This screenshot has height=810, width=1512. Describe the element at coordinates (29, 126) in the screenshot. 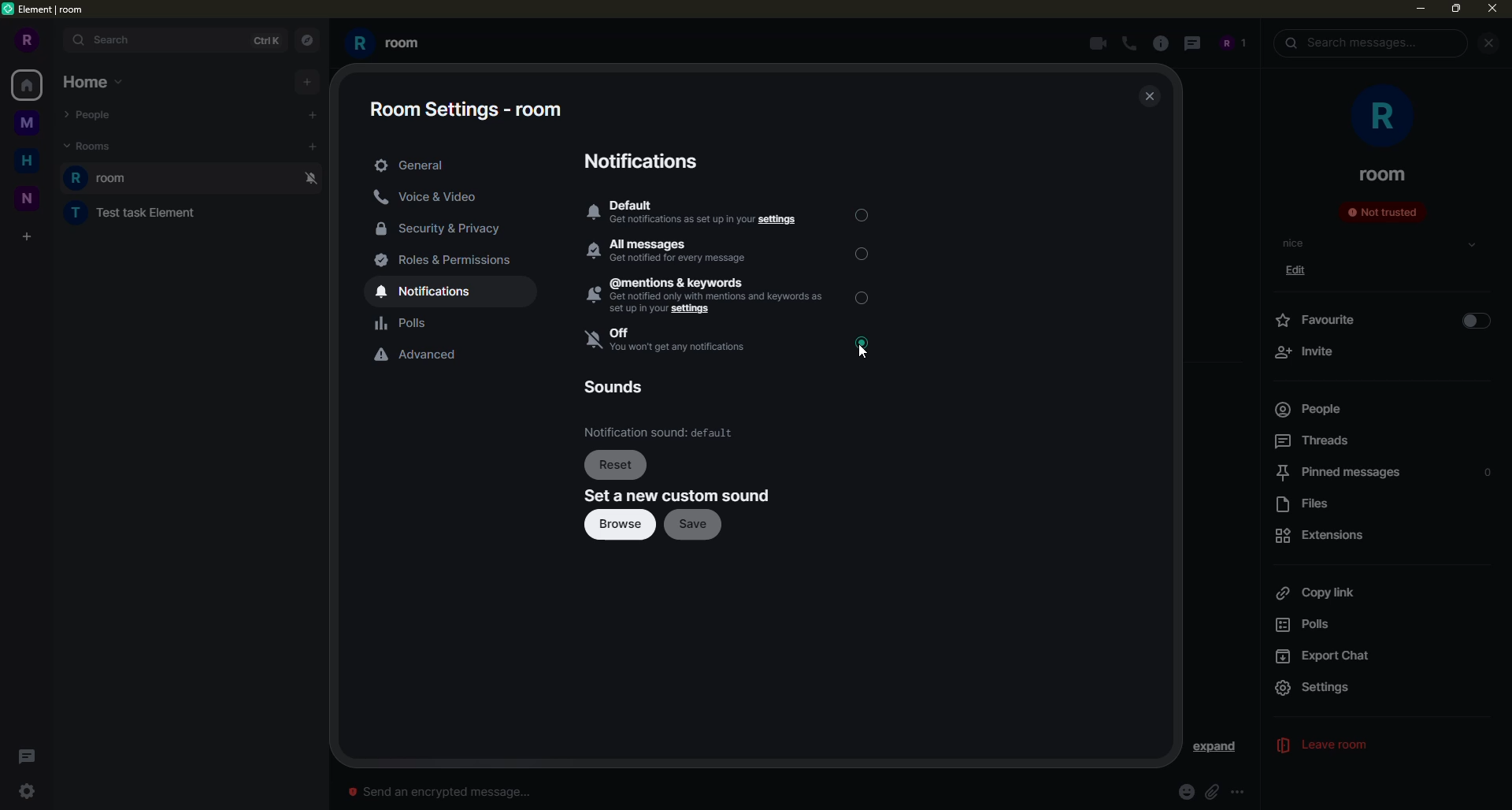

I see `M` at that location.